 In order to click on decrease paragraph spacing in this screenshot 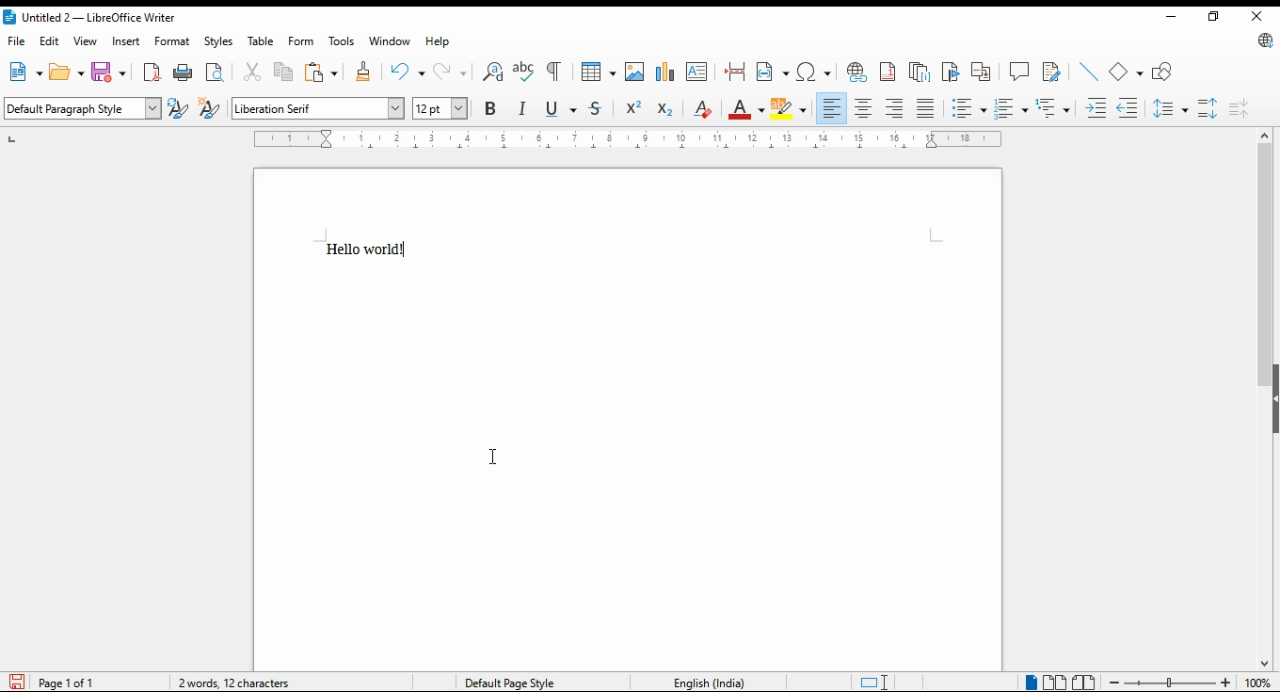, I will do `click(1240, 107)`.